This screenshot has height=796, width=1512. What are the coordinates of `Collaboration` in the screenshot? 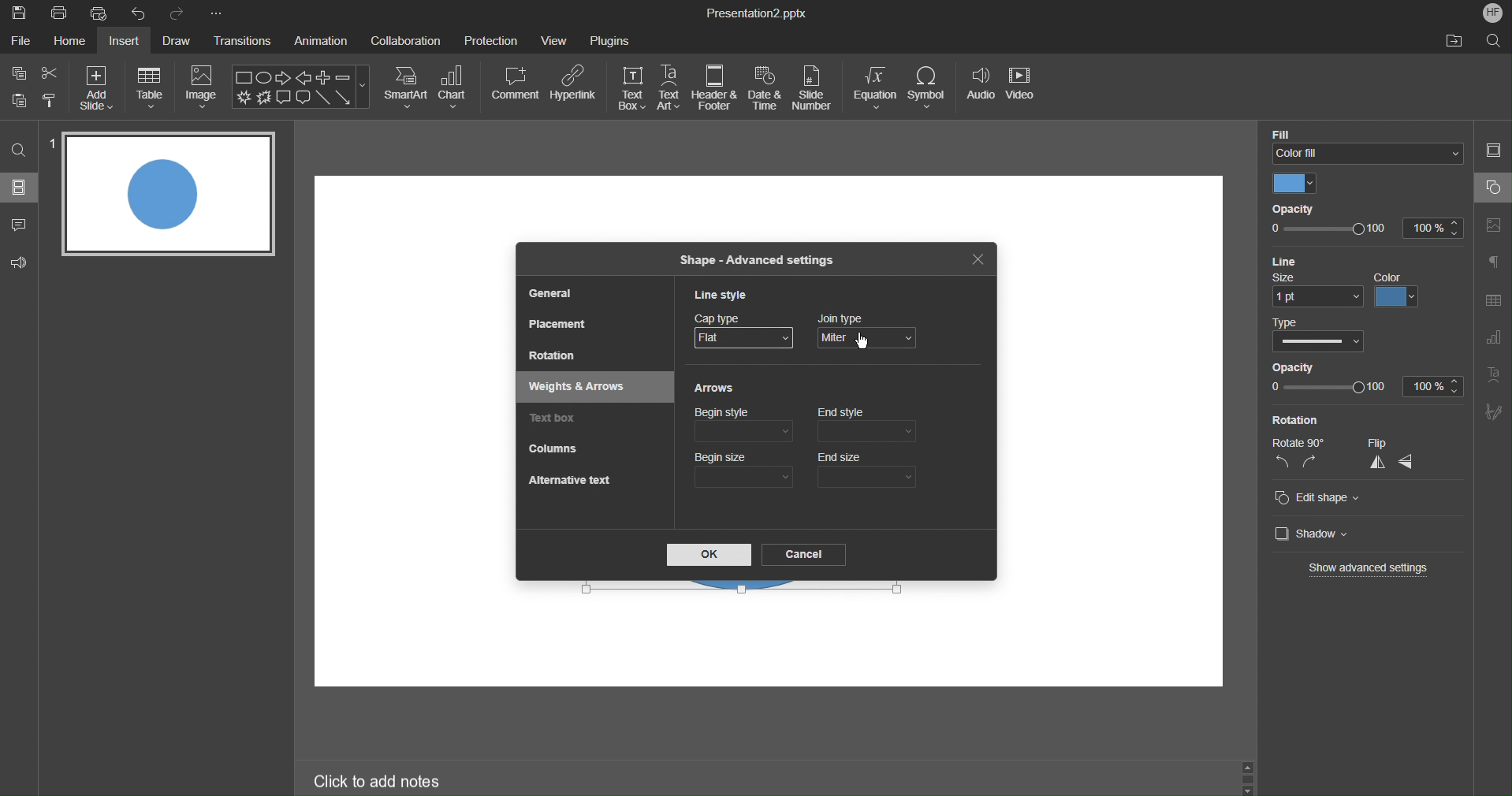 It's located at (406, 39).